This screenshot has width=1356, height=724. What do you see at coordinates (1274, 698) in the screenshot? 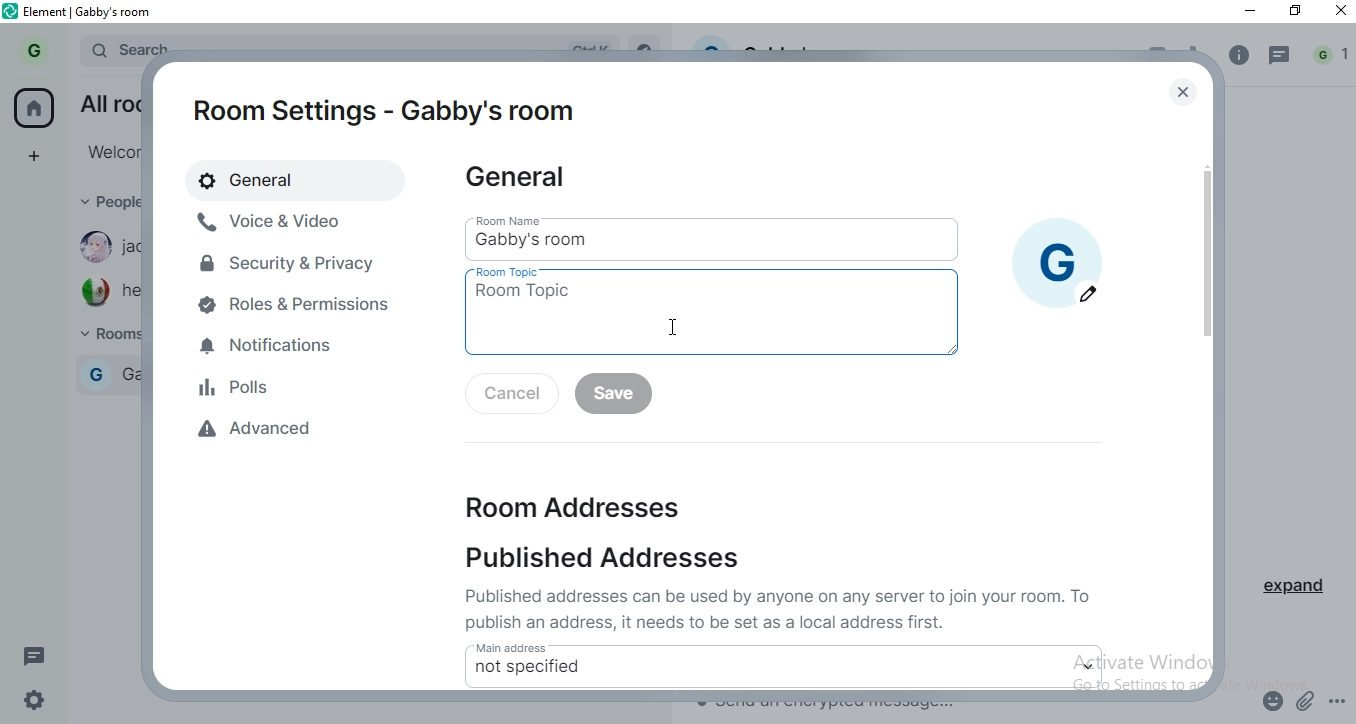
I see `emoji` at bounding box center [1274, 698].